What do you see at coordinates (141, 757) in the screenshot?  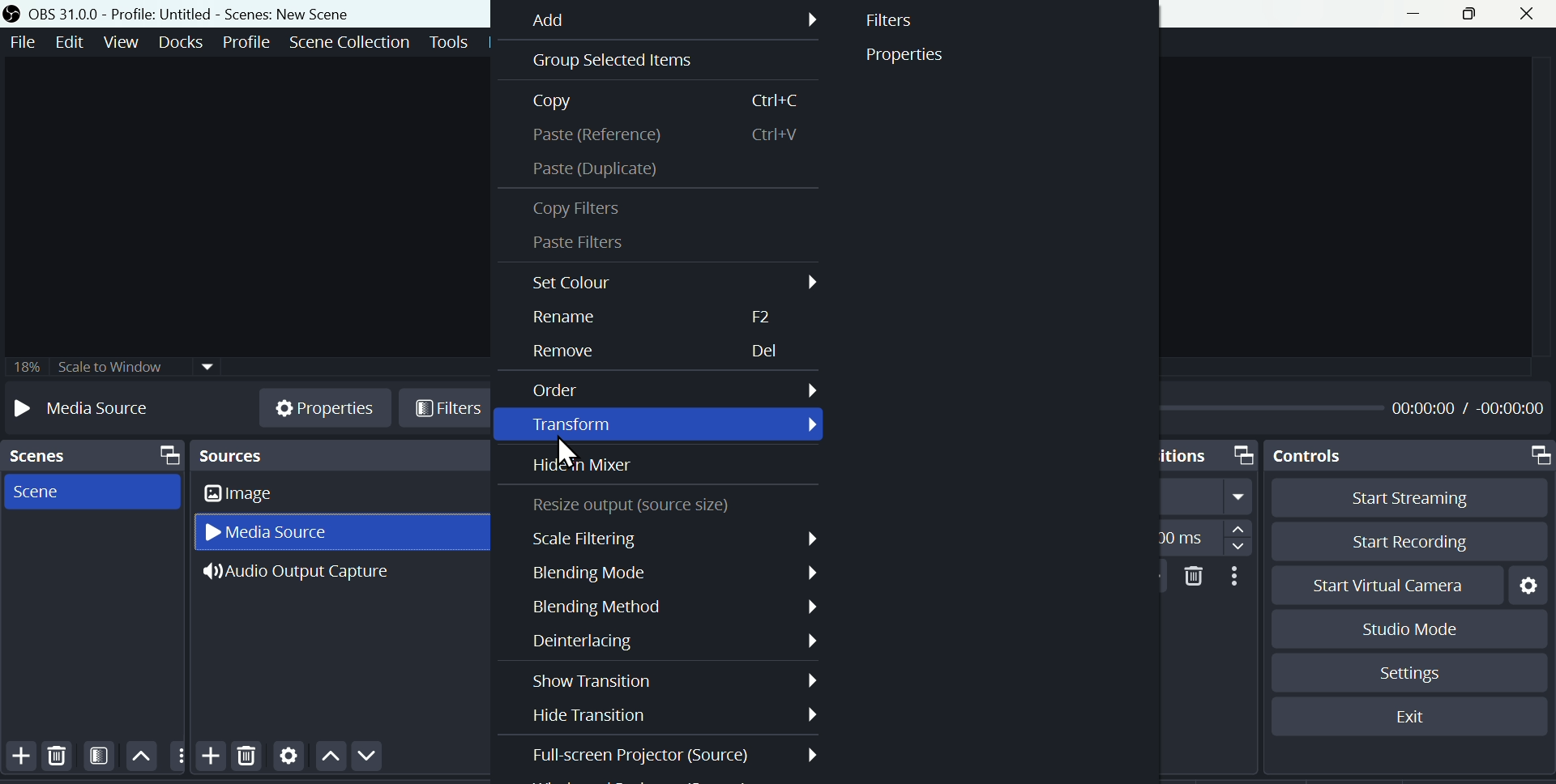 I see `Move up` at bounding box center [141, 757].